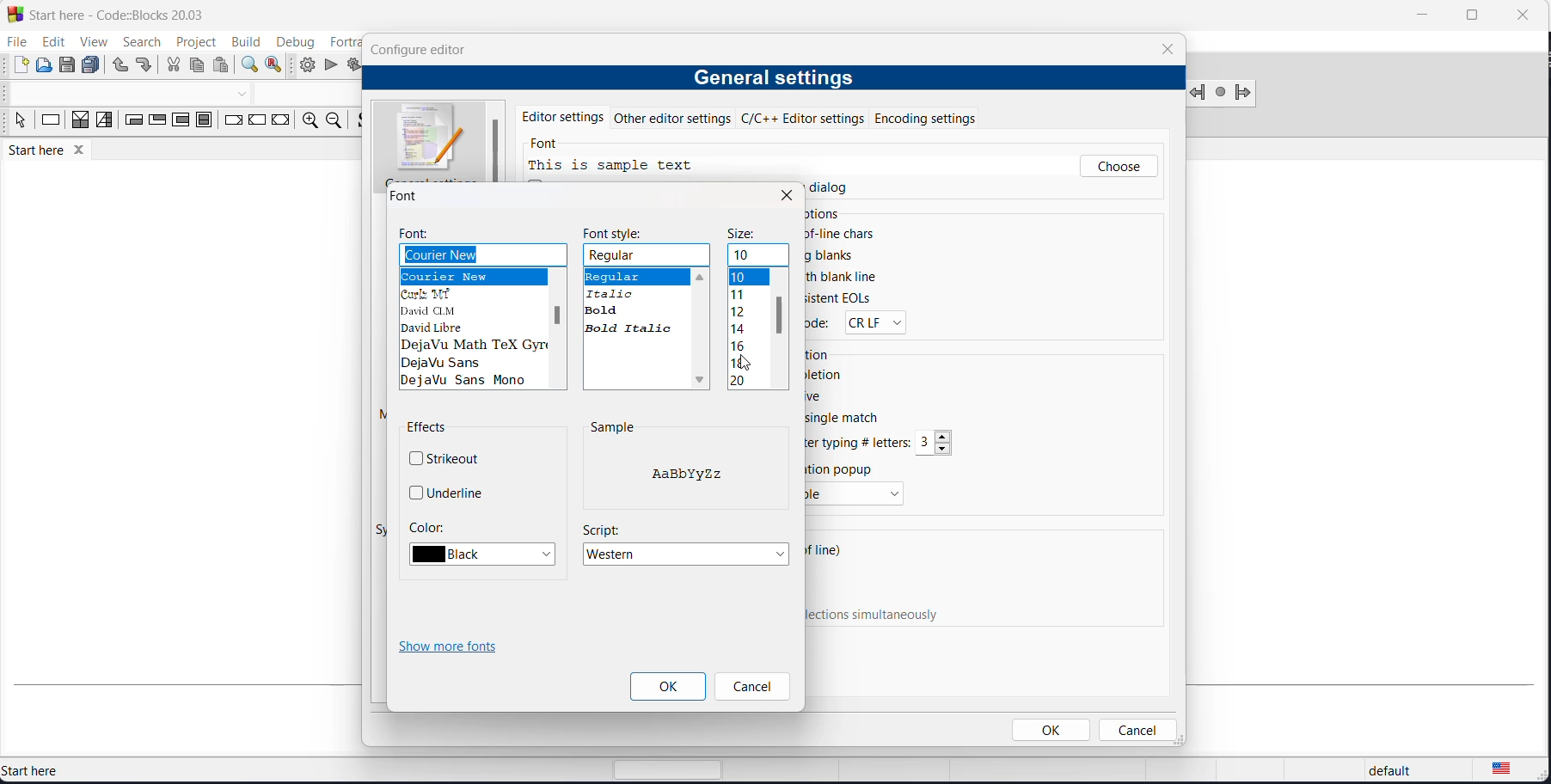 The image size is (1551, 784). What do you see at coordinates (222, 66) in the screenshot?
I see `paste` at bounding box center [222, 66].